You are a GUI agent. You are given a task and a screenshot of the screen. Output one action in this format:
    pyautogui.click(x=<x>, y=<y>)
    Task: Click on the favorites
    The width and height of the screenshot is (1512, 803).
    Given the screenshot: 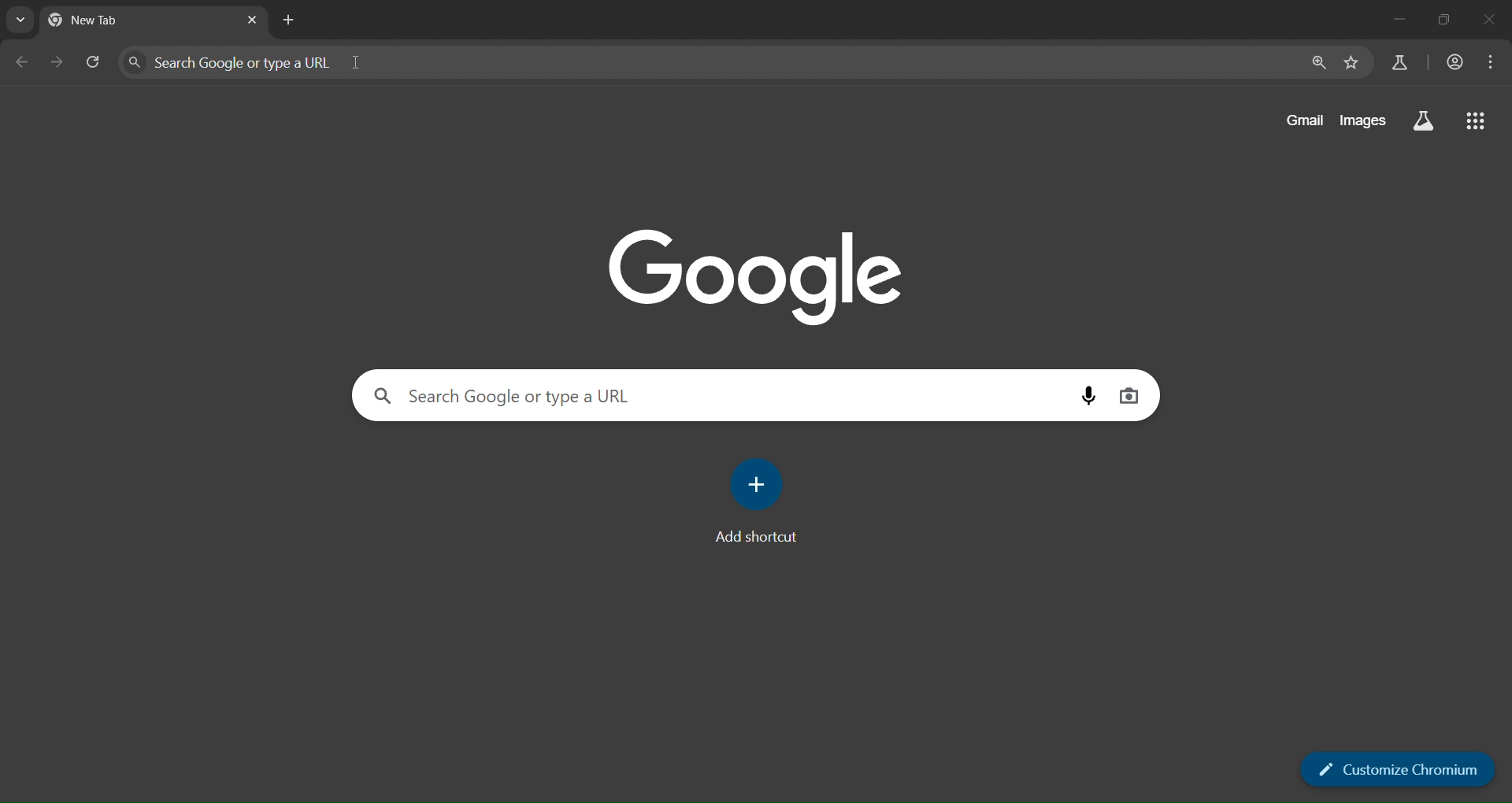 What is the action you would take?
    pyautogui.click(x=1352, y=63)
    